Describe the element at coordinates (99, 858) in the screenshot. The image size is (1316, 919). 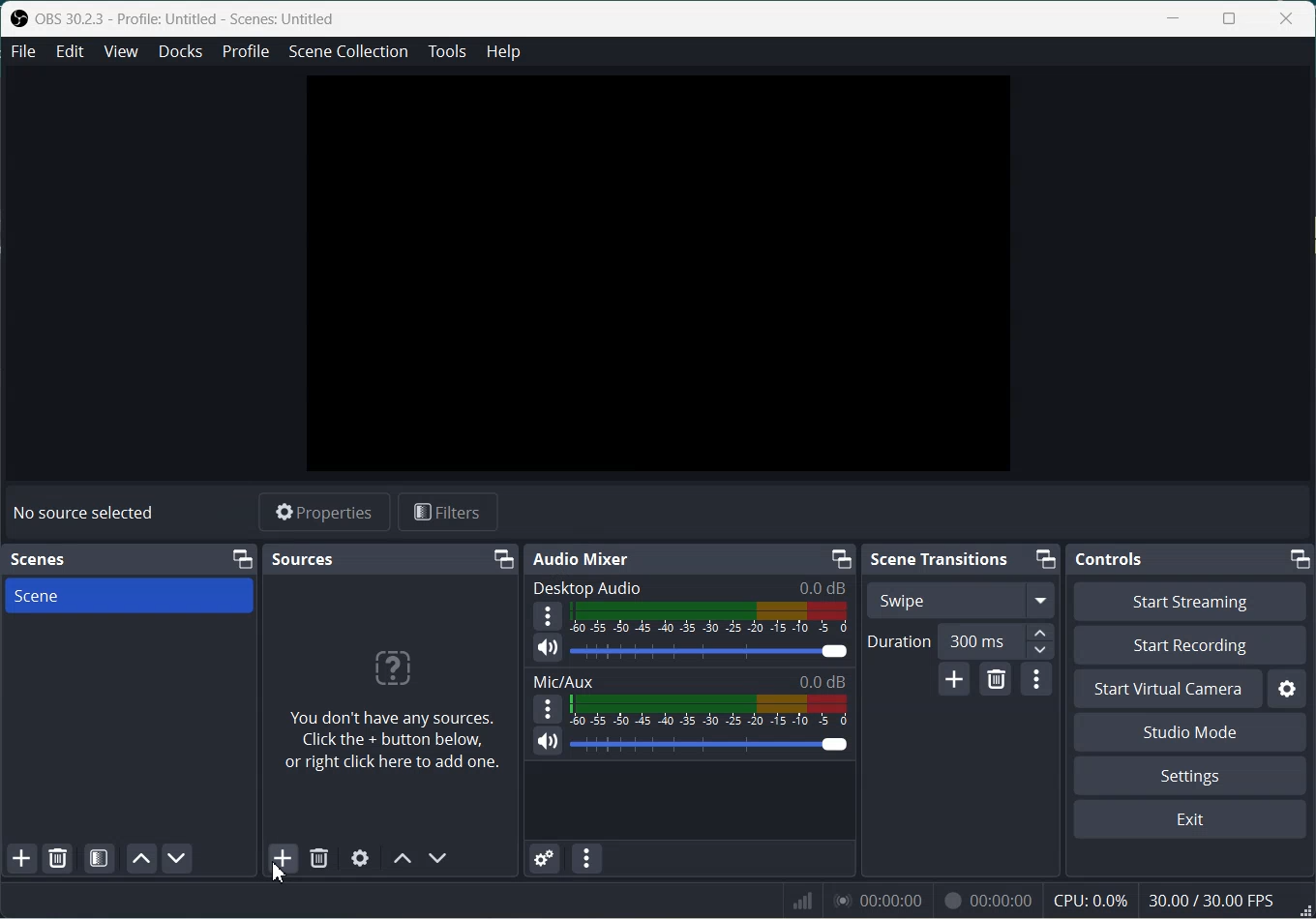
I see `Open scene Filter` at that location.